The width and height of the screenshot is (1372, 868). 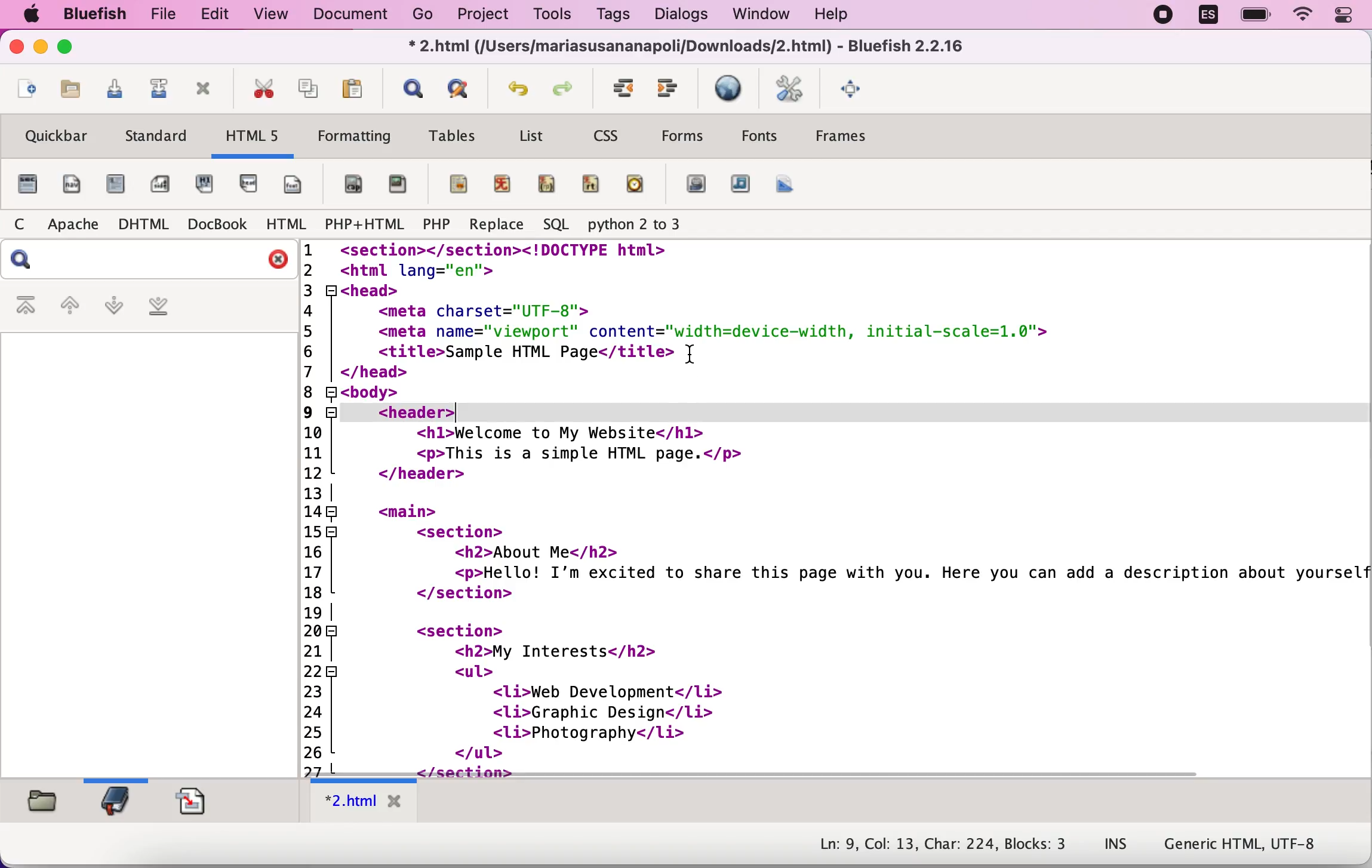 I want to click on html, so click(x=286, y=225).